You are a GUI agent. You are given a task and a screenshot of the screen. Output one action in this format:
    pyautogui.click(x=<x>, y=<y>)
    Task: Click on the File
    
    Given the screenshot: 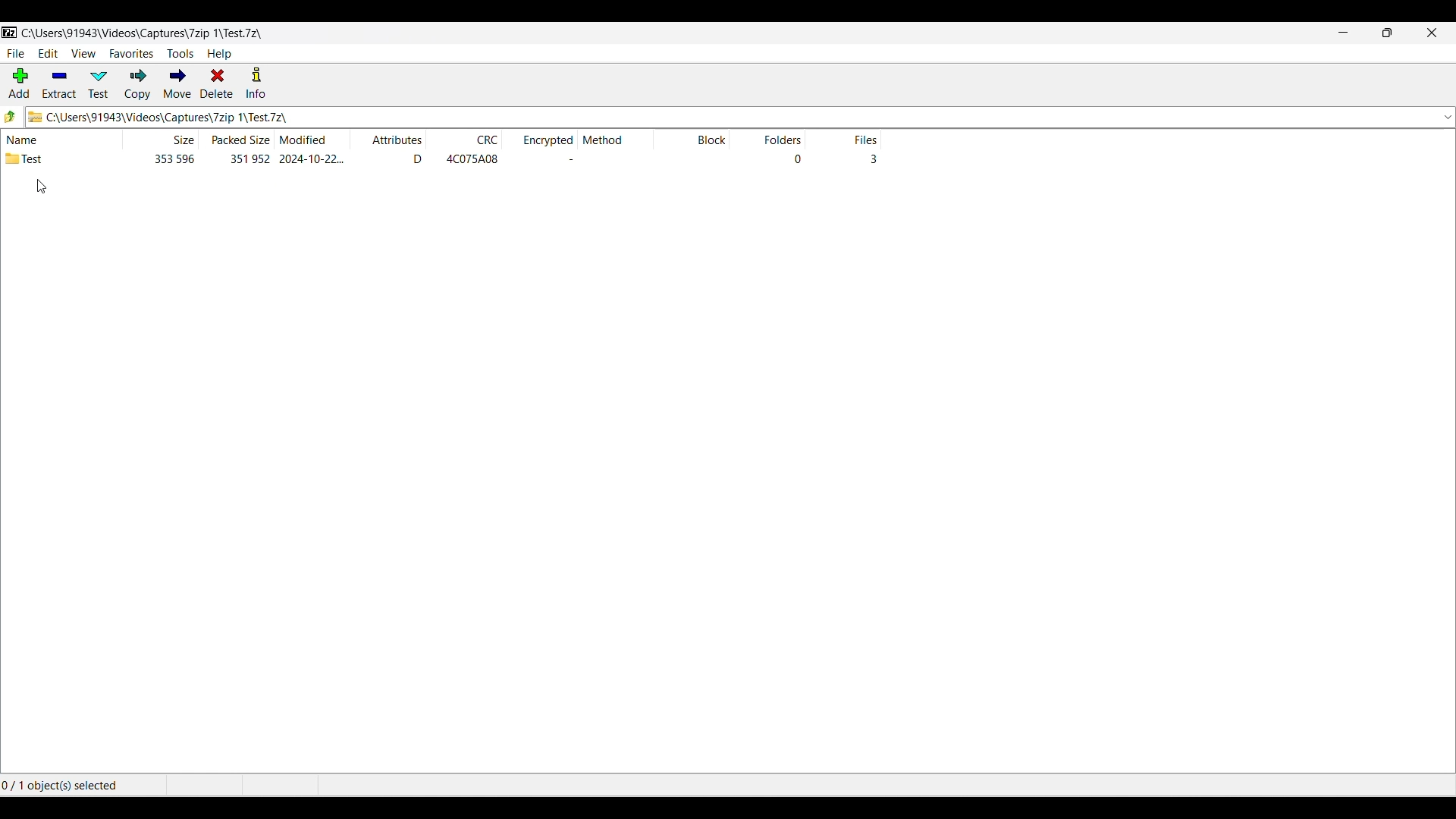 What is the action you would take?
    pyautogui.click(x=15, y=53)
    